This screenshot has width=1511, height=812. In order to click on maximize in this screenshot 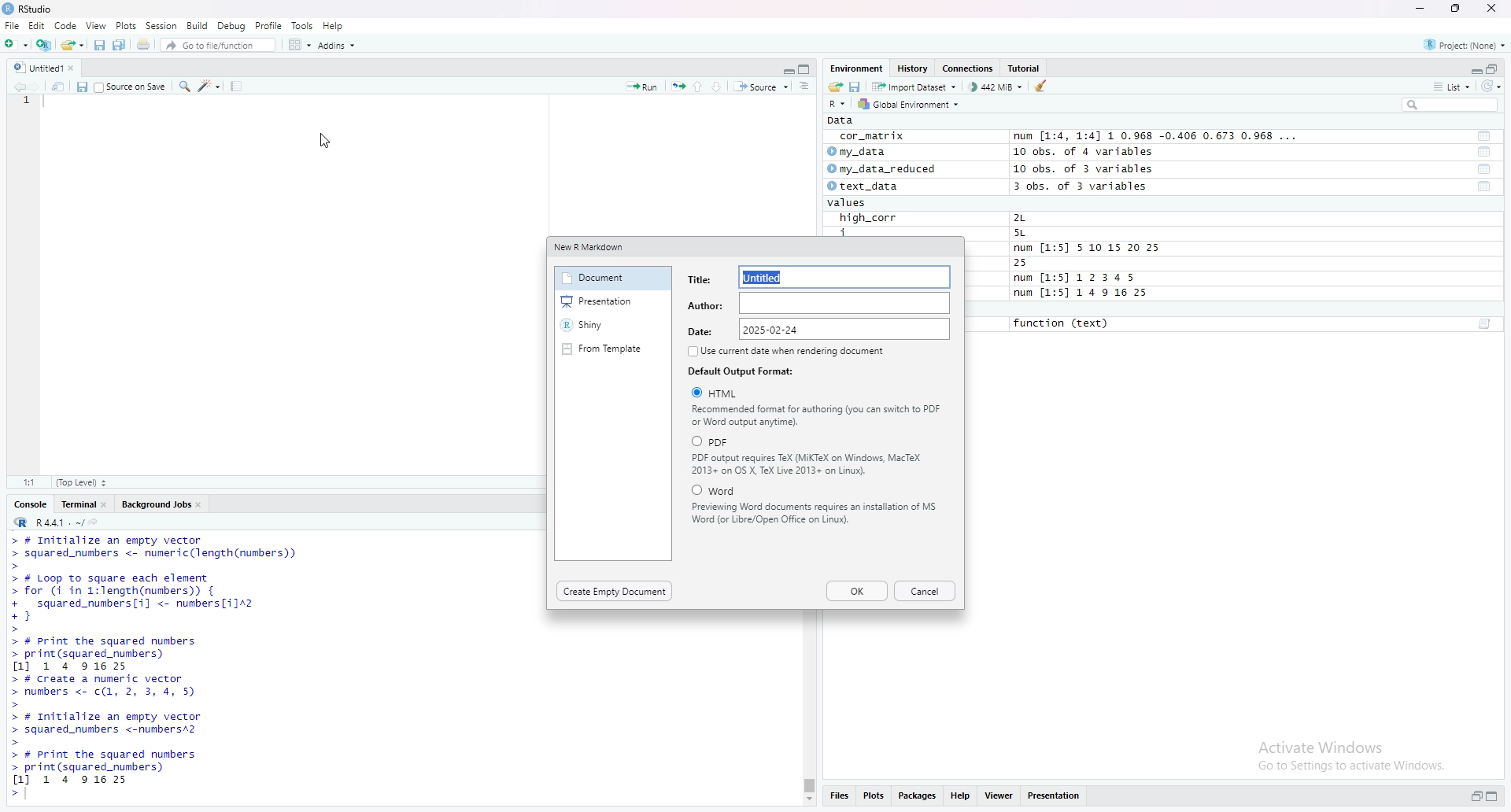, I will do `click(806, 69)`.